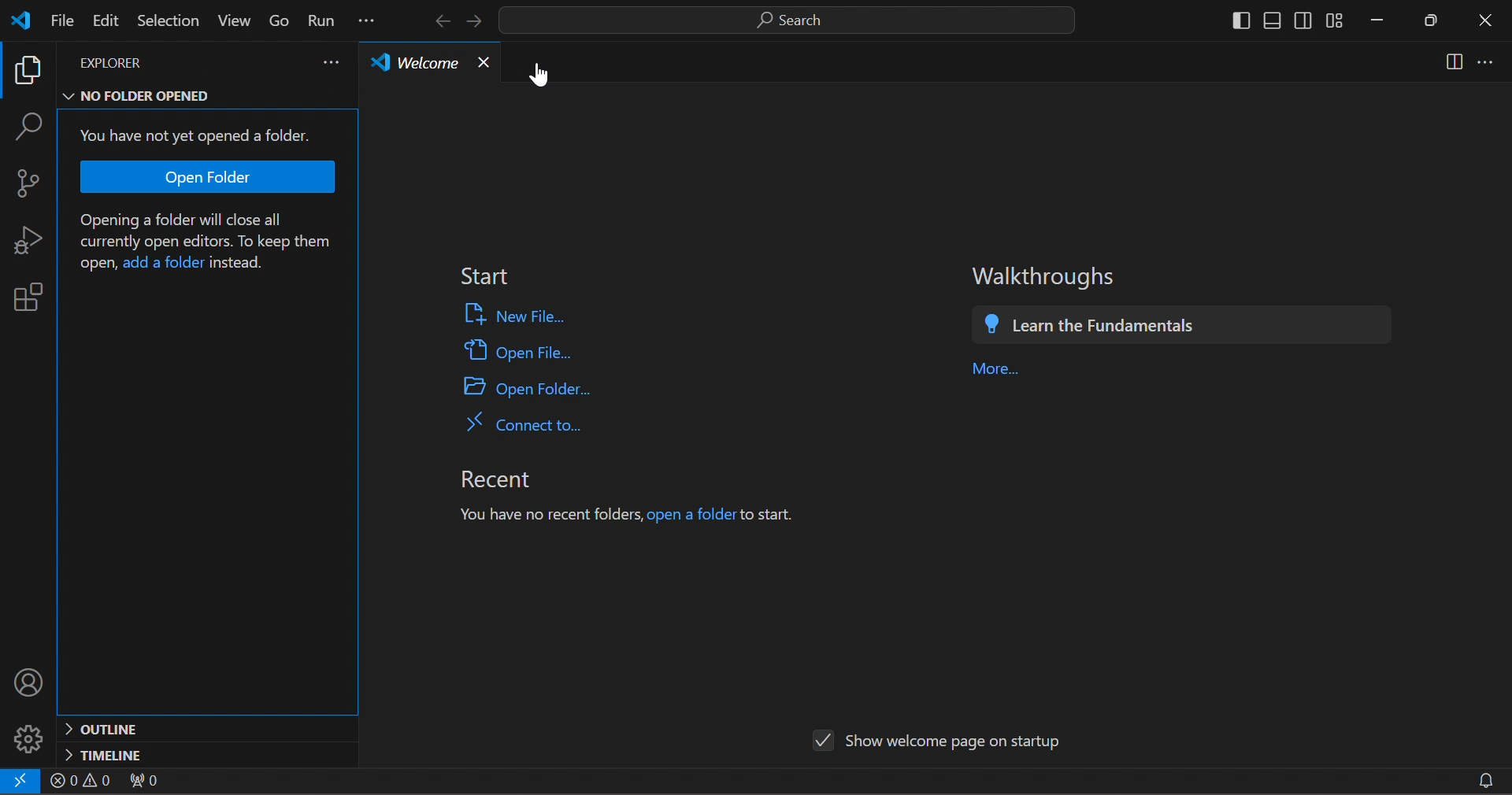  What do you see at coordinates (155, 94) in the screenshot?
I see `No folder opened` at bounding box center [155, 94].